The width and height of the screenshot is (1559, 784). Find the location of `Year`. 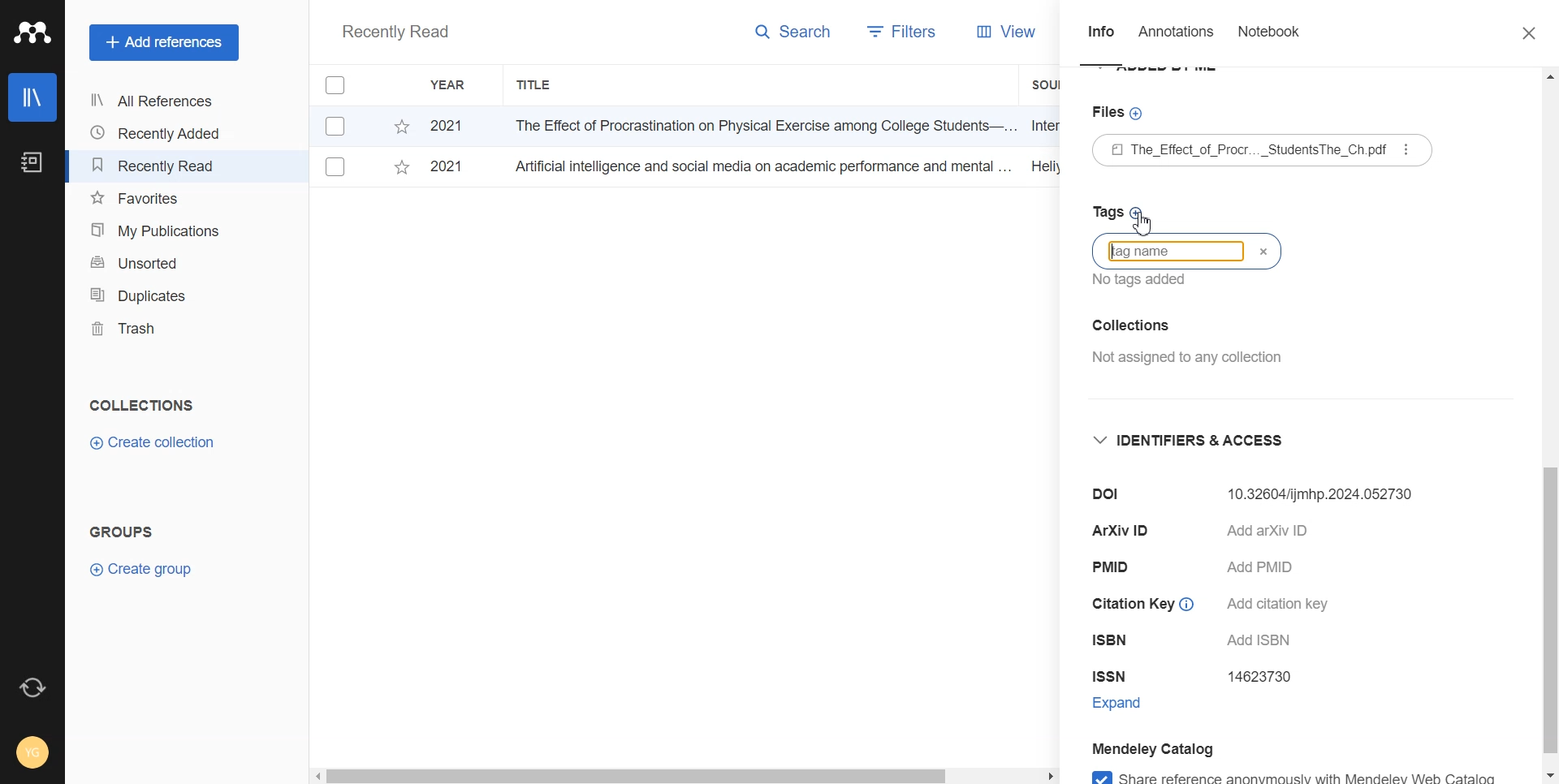

Year is located at coordinates (451, 85).